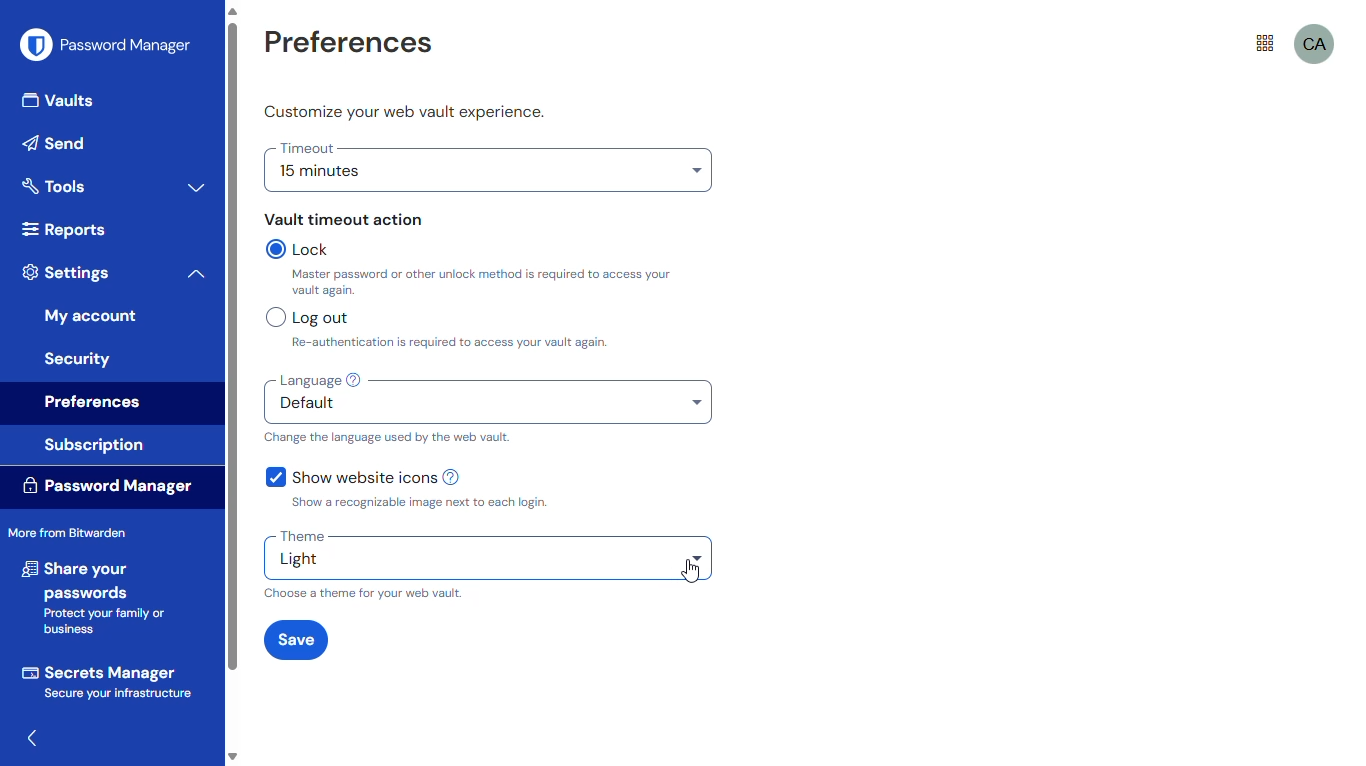 This screenshot has width=1366, height=766. Describe the element at coordinates (690, 571) in the screenshot. I see `cursor` at that location.